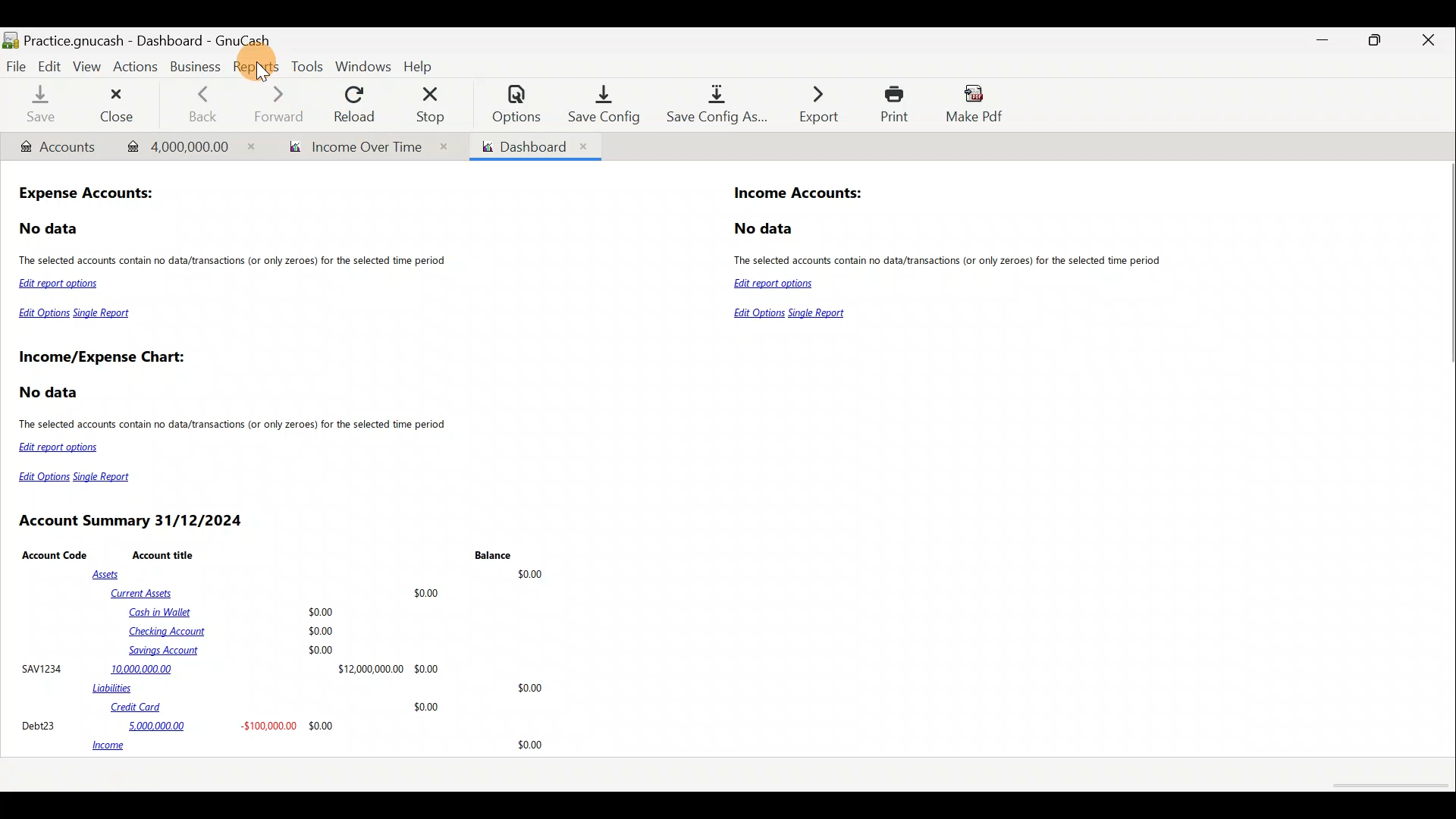 The width and height of the screenshot is (1456, 819). I want to click on Stop, so click(435, 104).